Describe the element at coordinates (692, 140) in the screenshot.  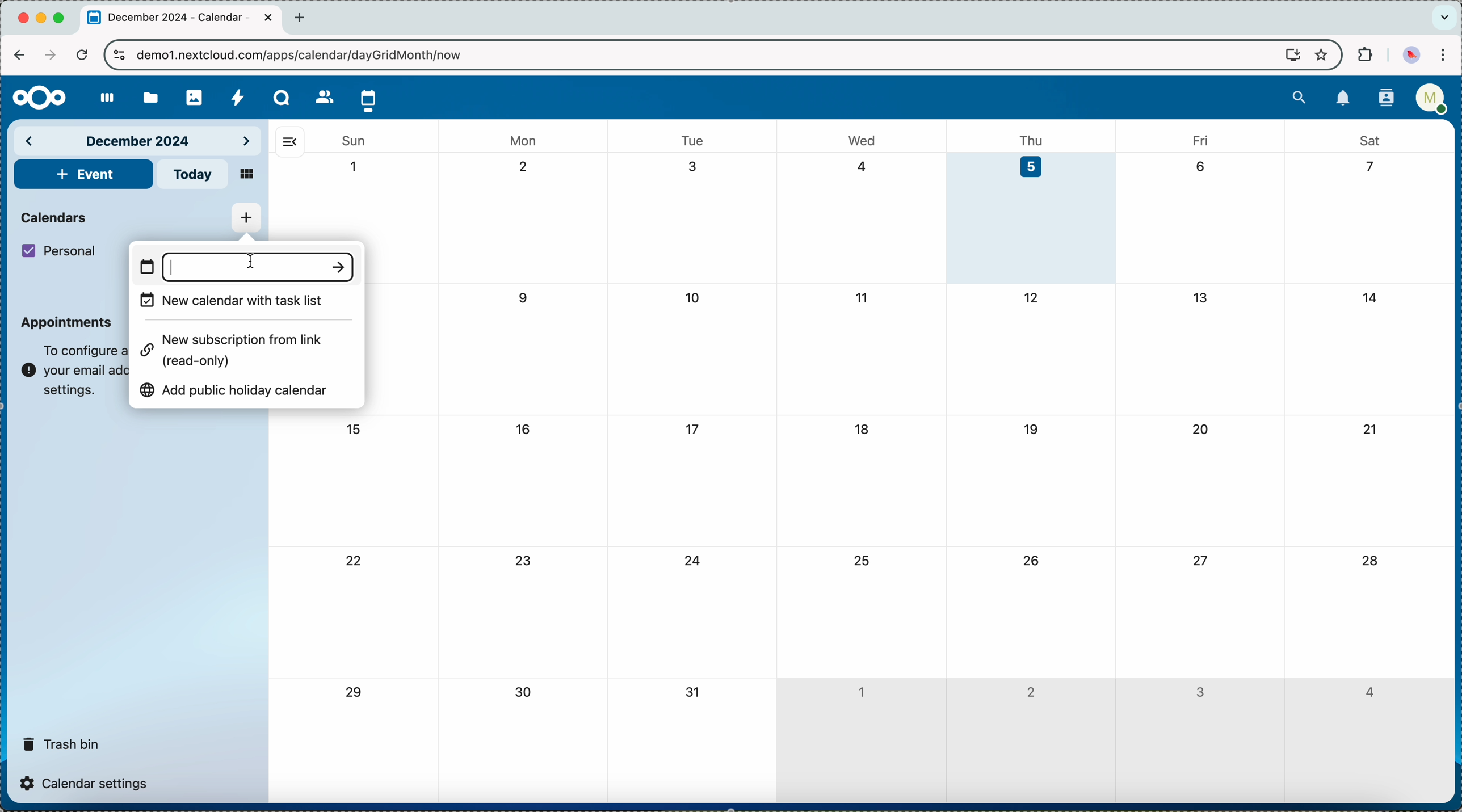
I see `tue` at that location.